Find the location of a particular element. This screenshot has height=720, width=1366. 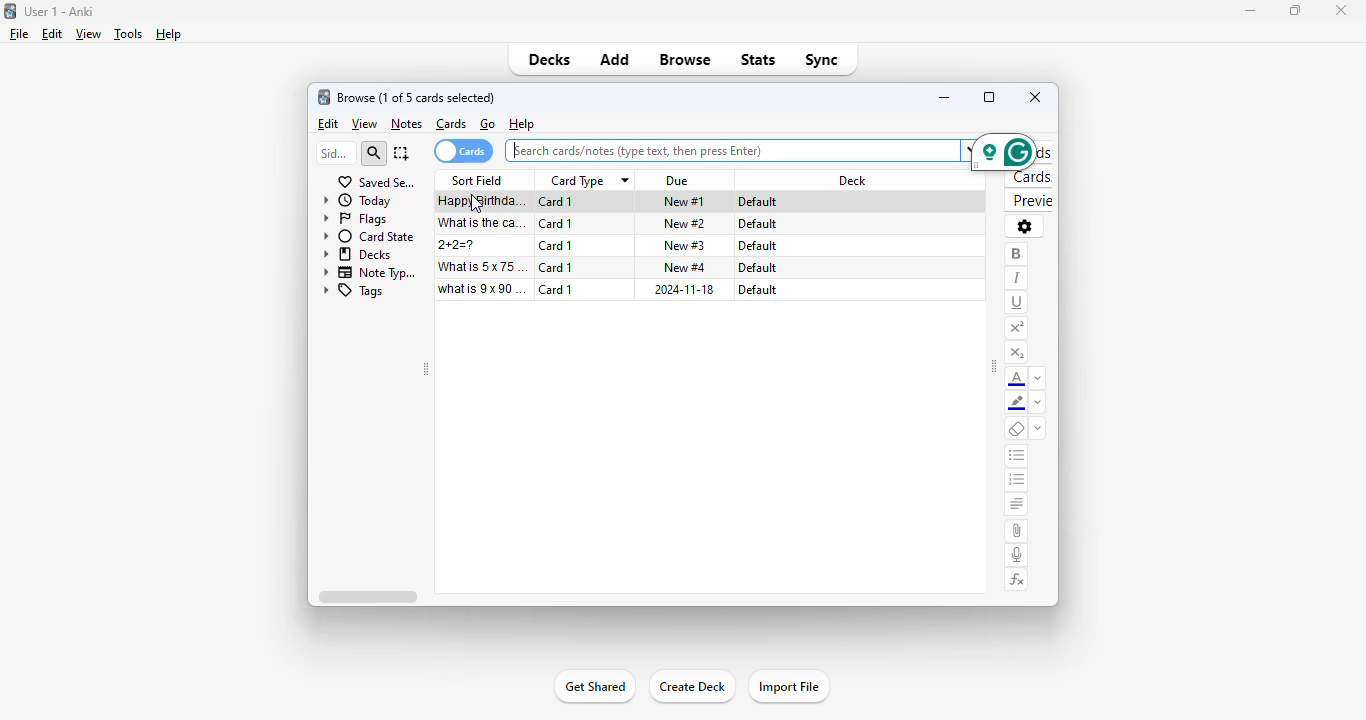

grammarly extension is located at coordinates (1003, 153).